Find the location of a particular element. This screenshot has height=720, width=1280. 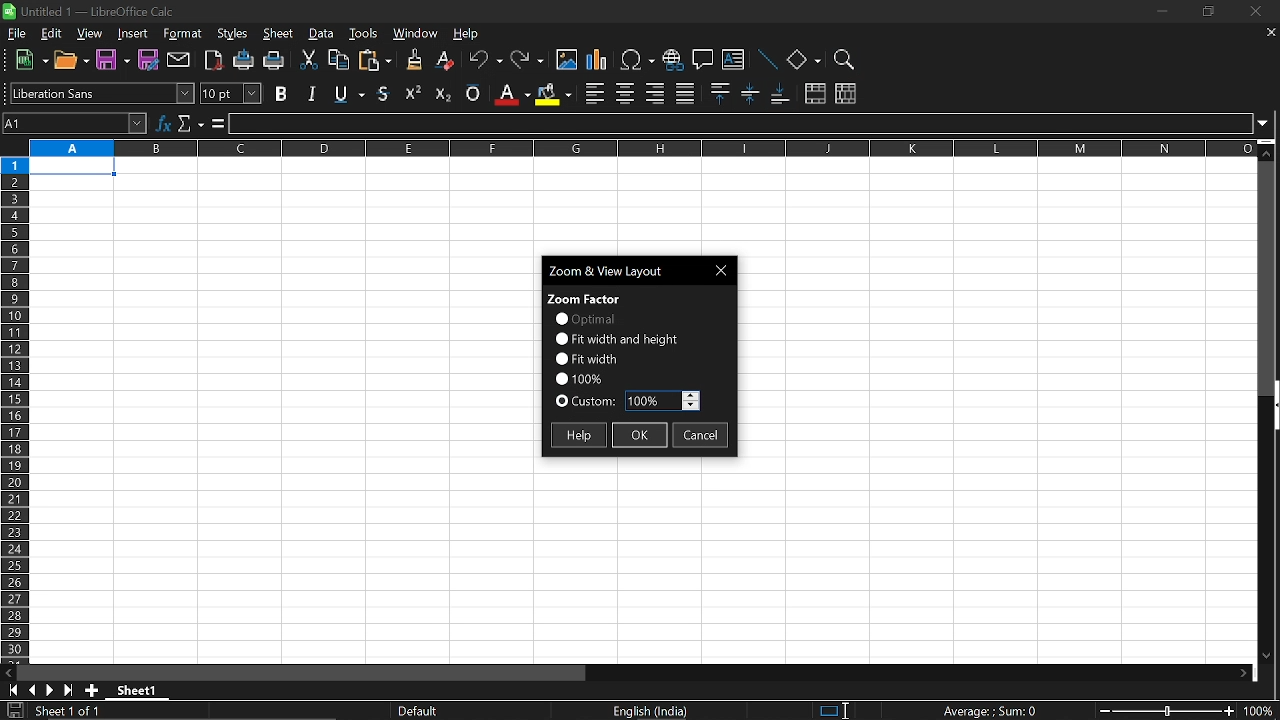

restore down is located at coordinates (1206, 13).